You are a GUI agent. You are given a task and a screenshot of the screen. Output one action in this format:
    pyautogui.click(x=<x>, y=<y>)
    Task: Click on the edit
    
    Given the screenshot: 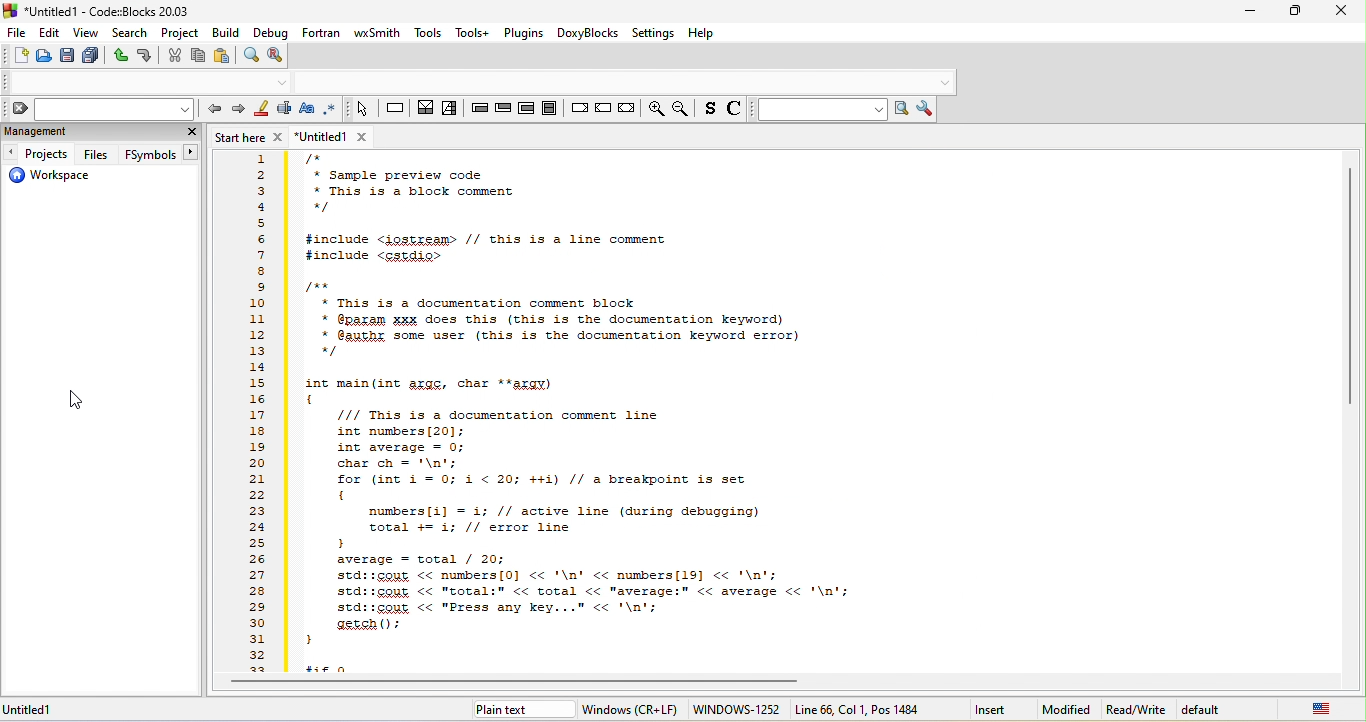 What is the action you would take?
    pyautogui.click(x=48, y=34)
    